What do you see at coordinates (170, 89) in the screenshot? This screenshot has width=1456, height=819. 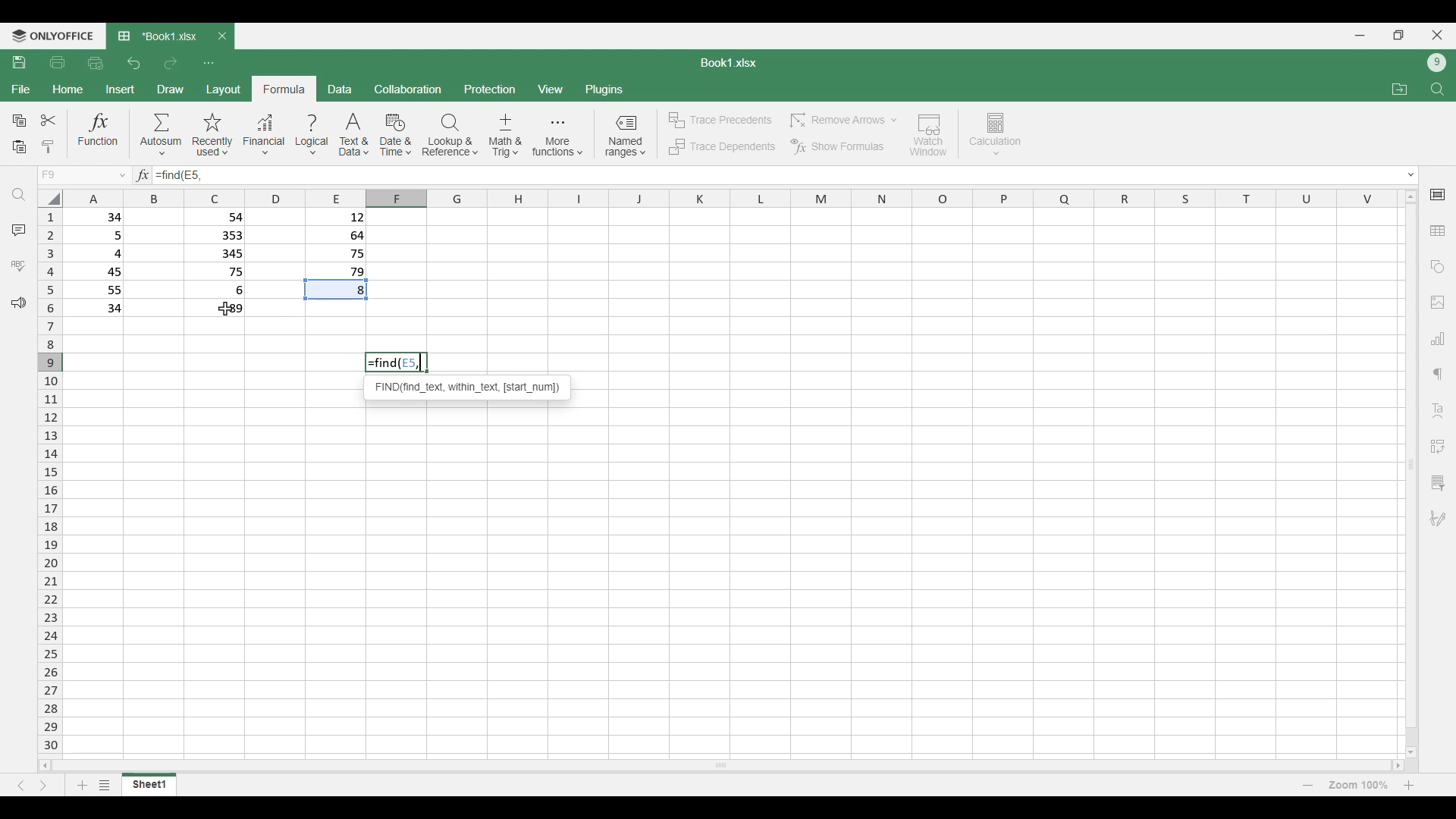 I see `Draw menu` at bounding box center [170, 89].